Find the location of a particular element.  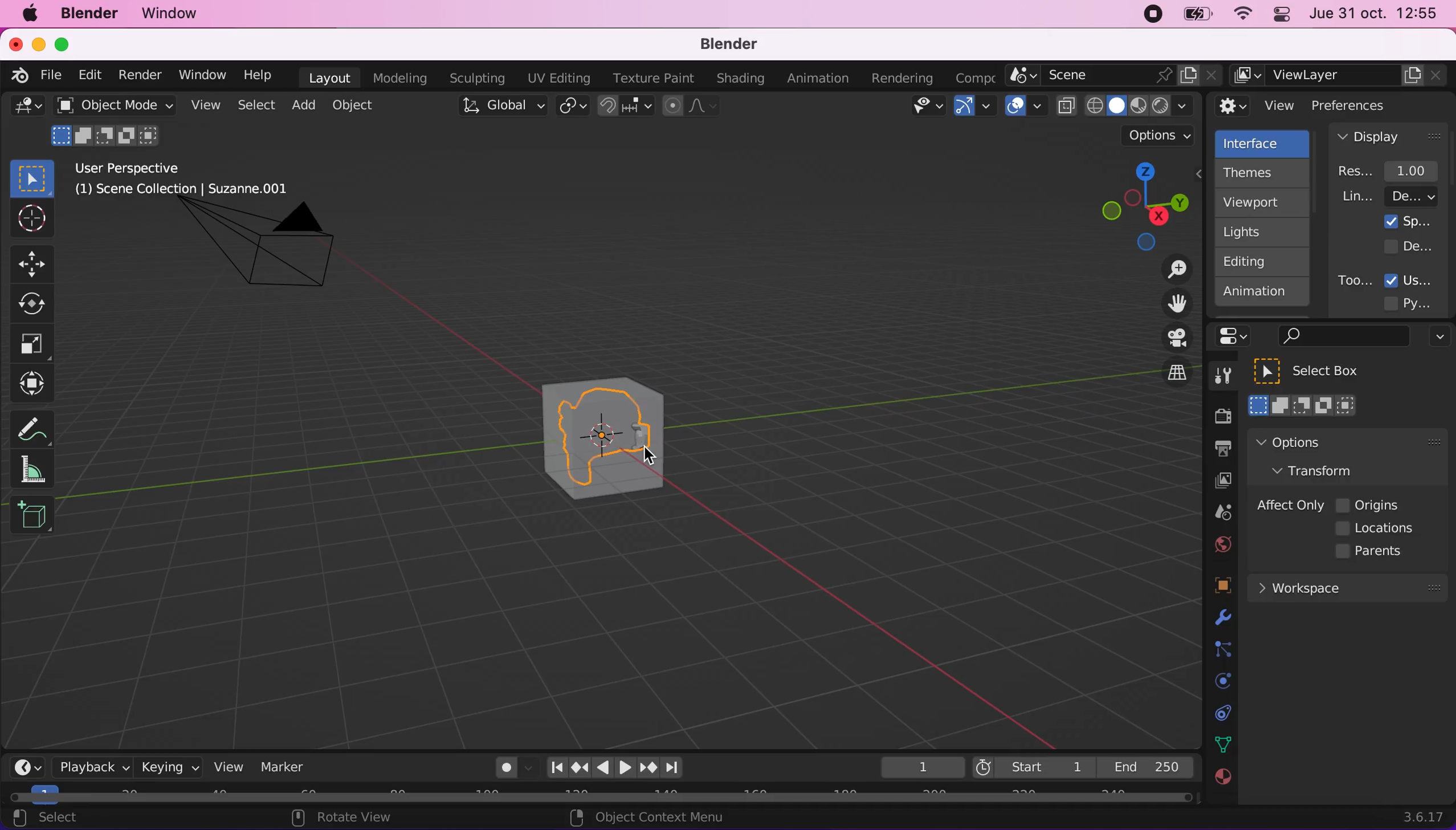

render is located at coordinates (139, 76).